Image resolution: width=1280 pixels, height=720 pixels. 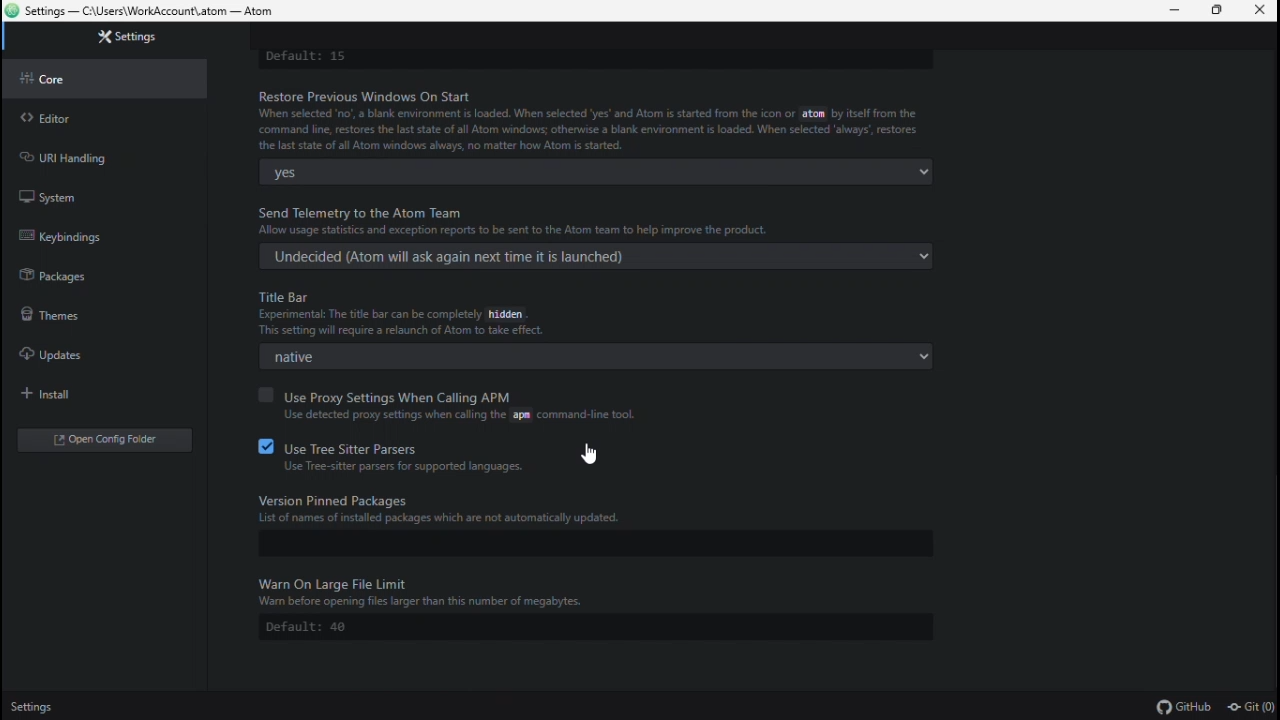 I want to click on Title bar, so click(x=604, y=315).